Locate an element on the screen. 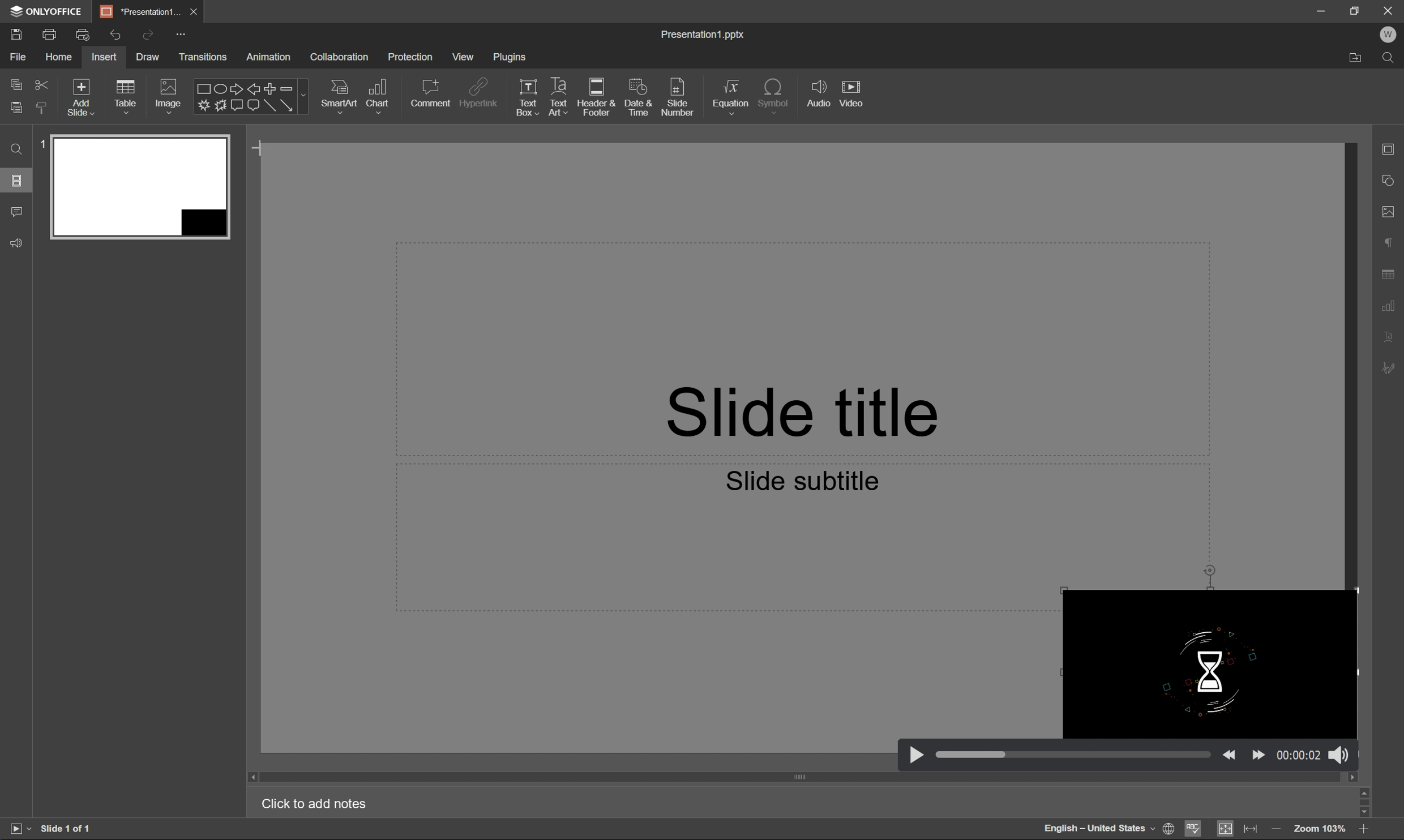 This screenshot has width=1404, height=840. Cursor is located at coordinates (262, 151).